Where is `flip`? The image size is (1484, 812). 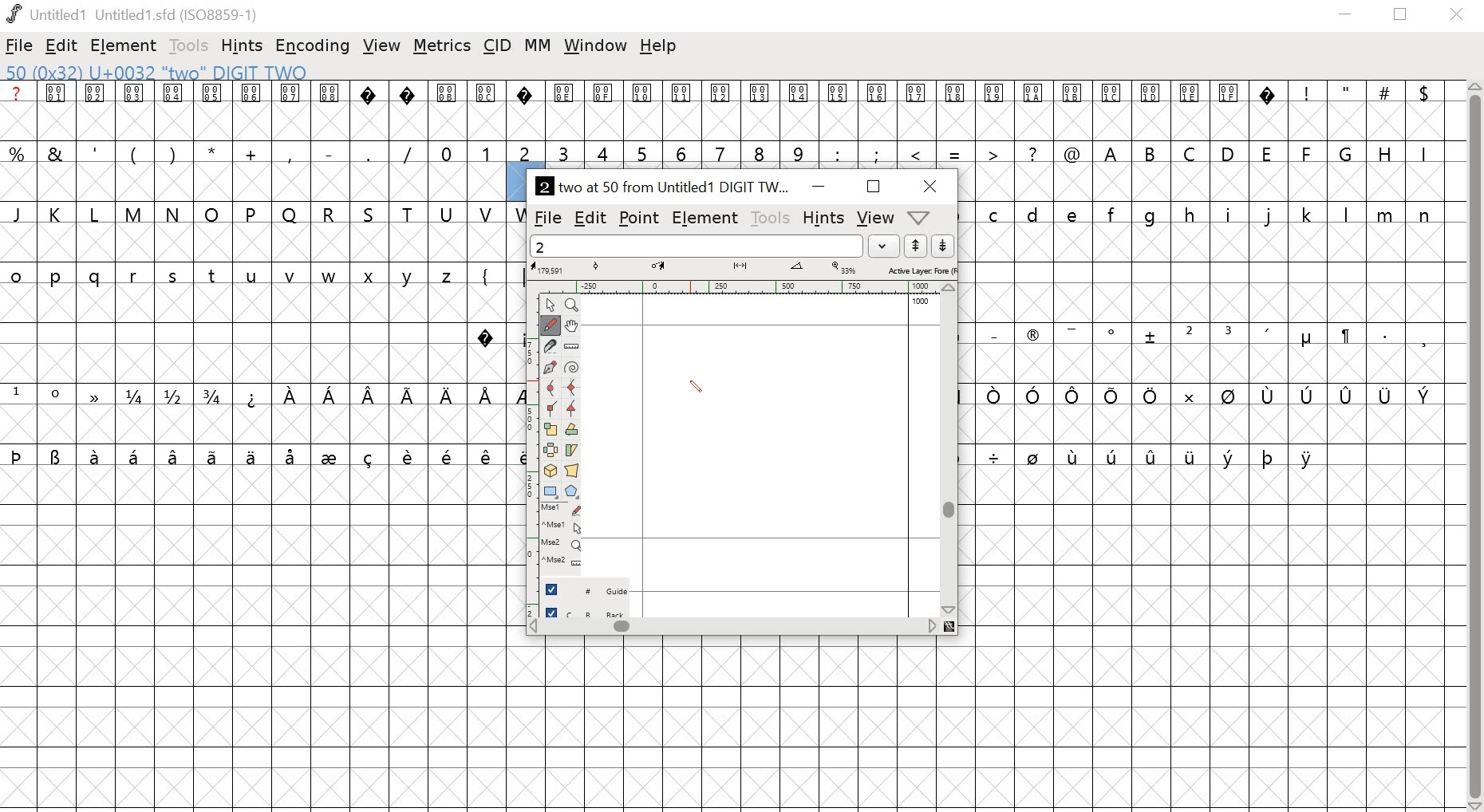 flip is located at coordinates (551, 451).